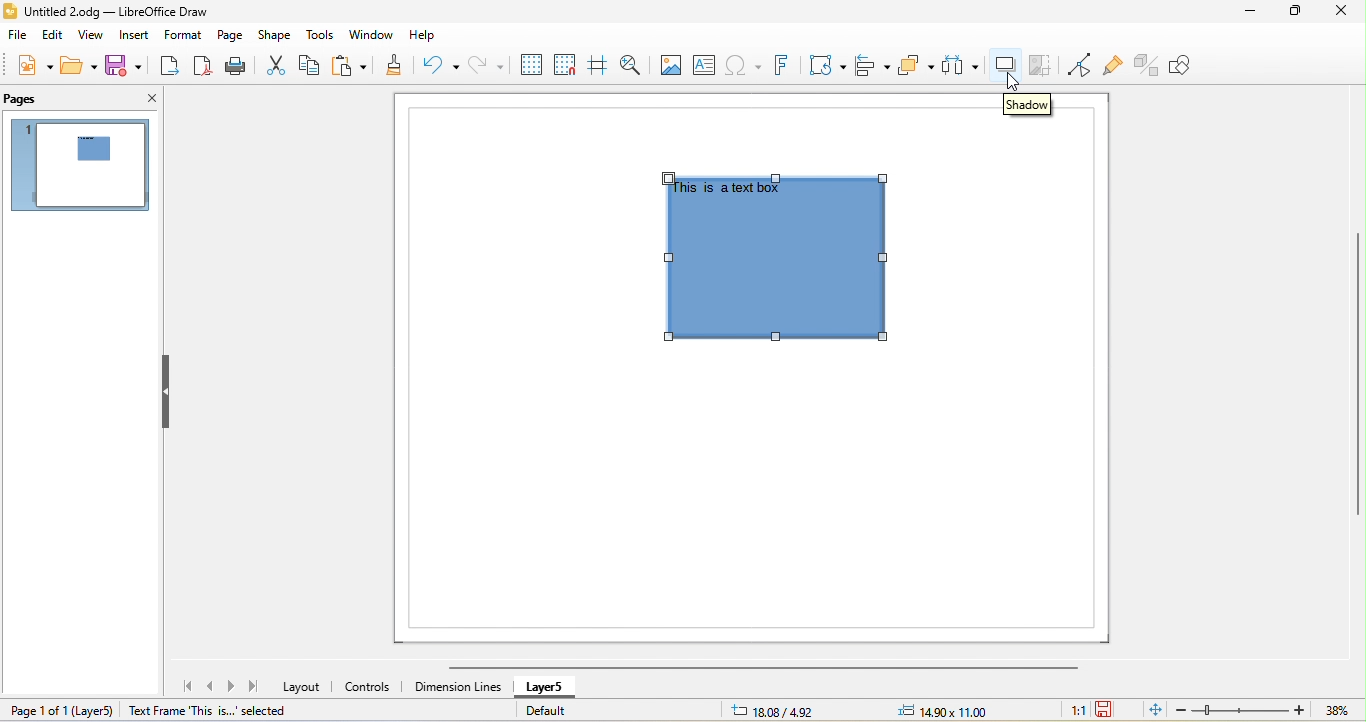  Describe the element at coordinates (190, 687) in the screenshot. I see `first page` at that location.